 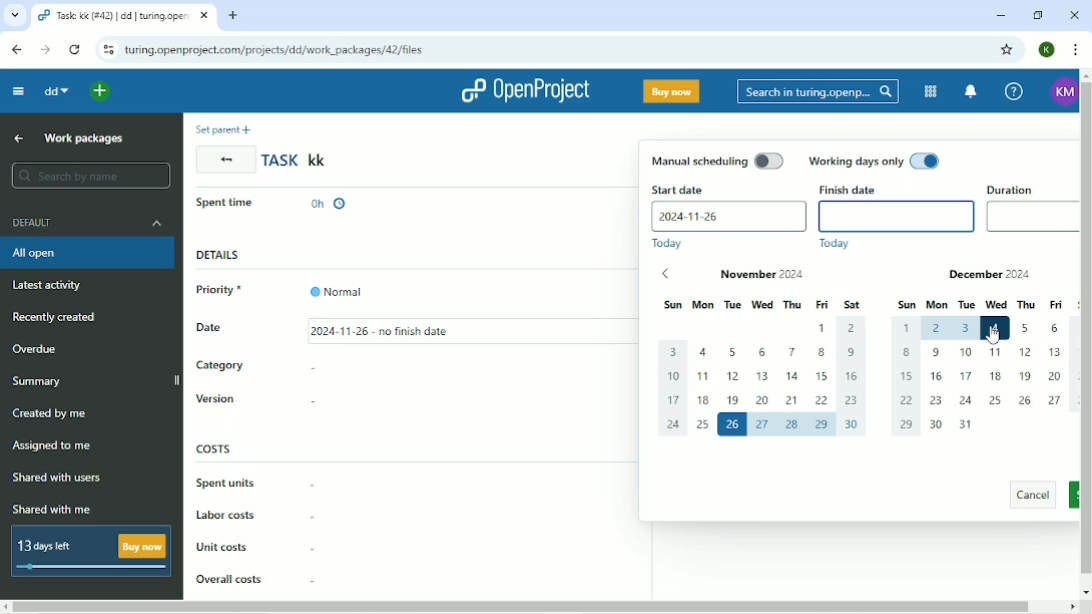 What do you see at coordinates (230, 201) in the screenshot?
I see `spent time` at bounding box center [230, 201].